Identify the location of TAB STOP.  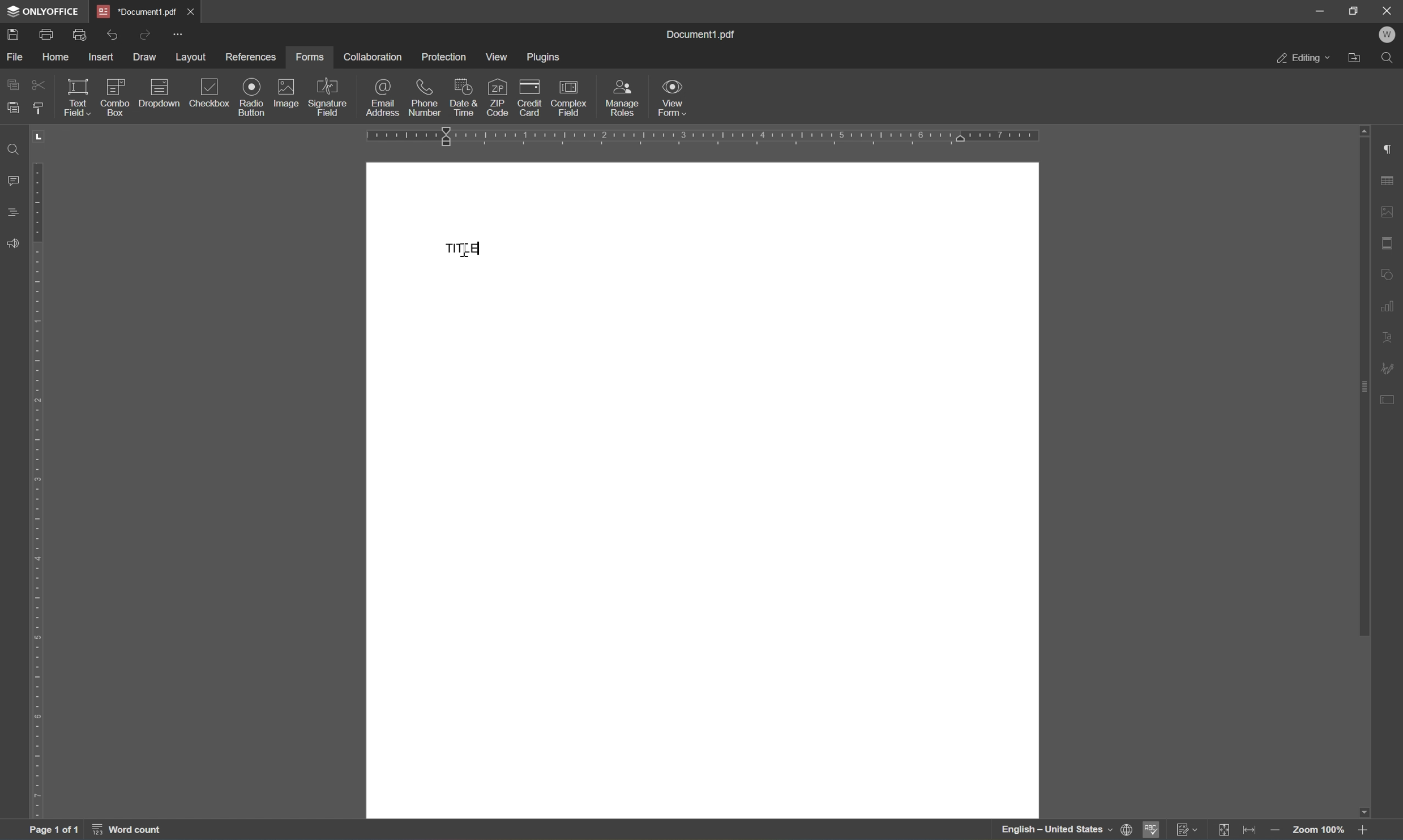
(40, 140).